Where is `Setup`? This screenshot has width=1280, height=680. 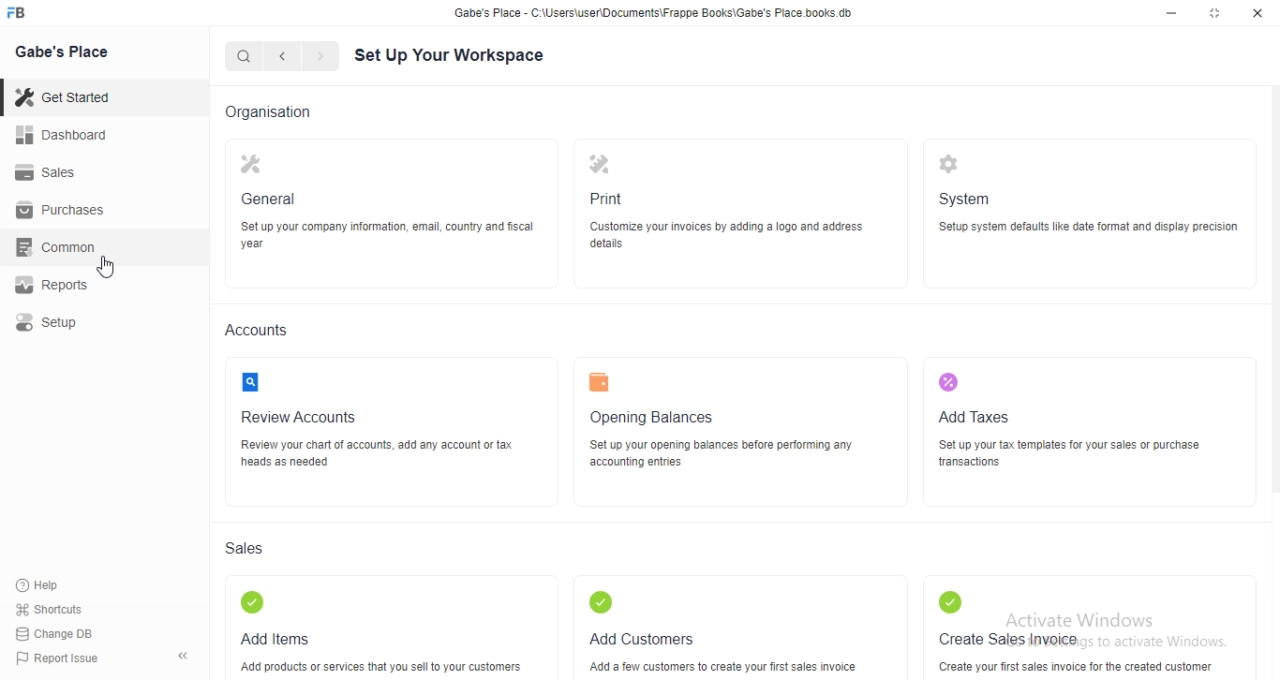 Setup is located at coordinates (61, 322).